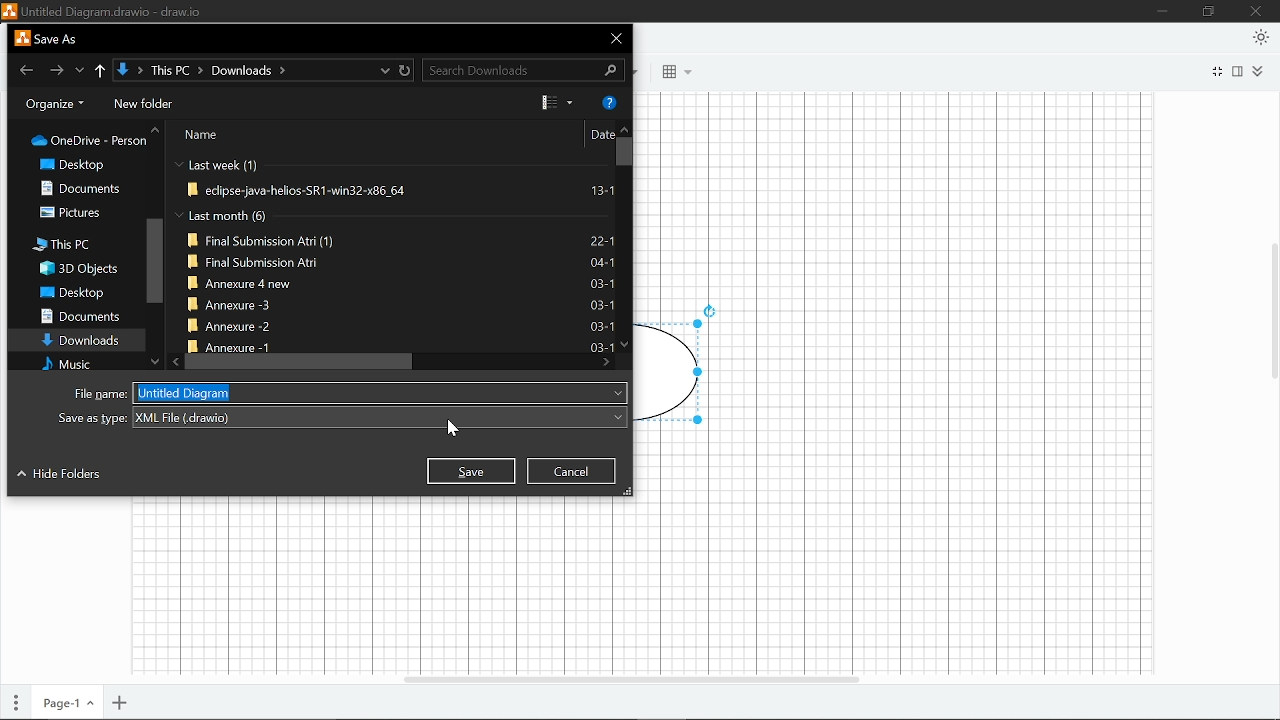 Image resolution: width=1280 pixels, height=720 pixels. I want to click on Desktop, so click(73, 293).